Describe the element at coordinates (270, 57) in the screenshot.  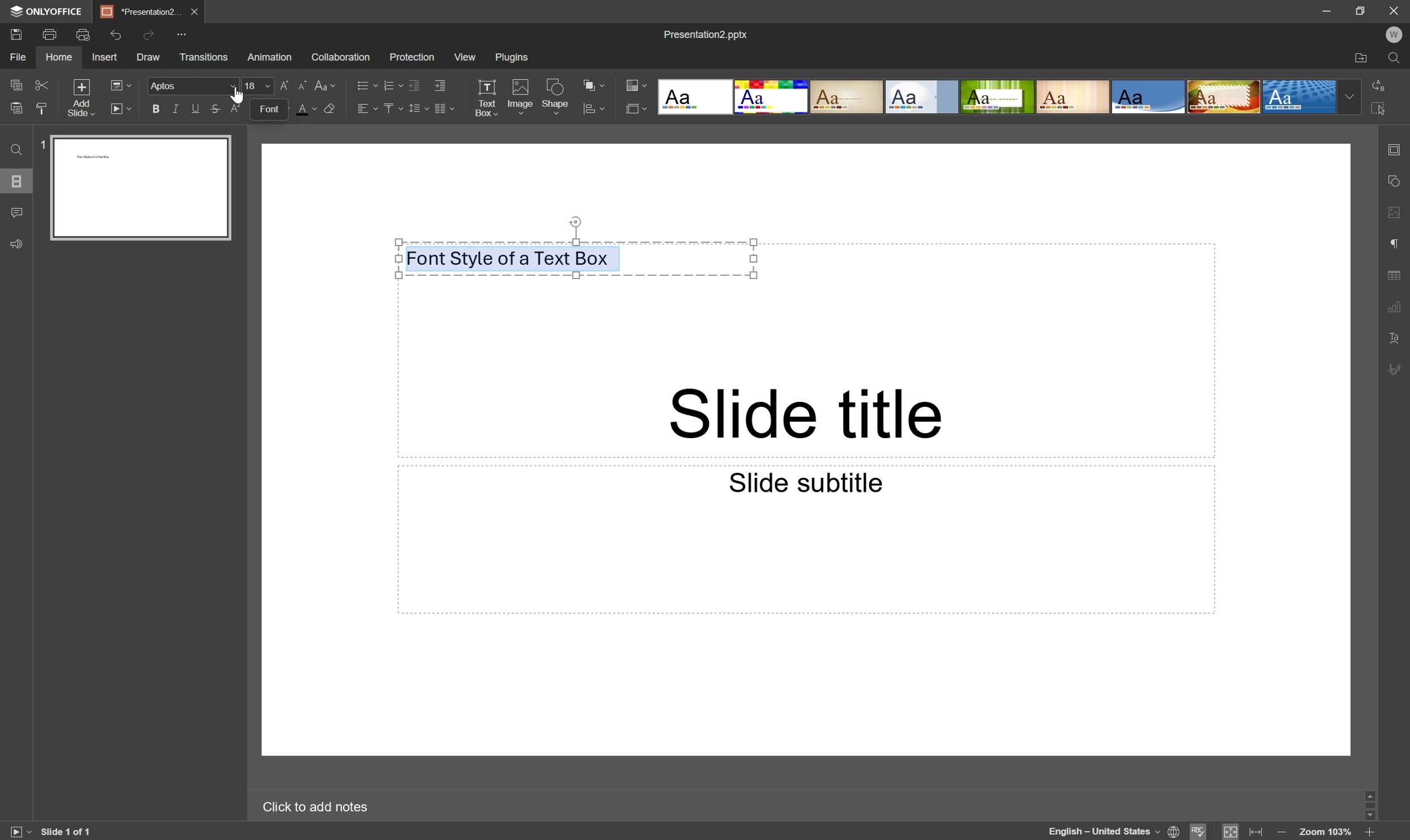
I see `Animation` at that location.